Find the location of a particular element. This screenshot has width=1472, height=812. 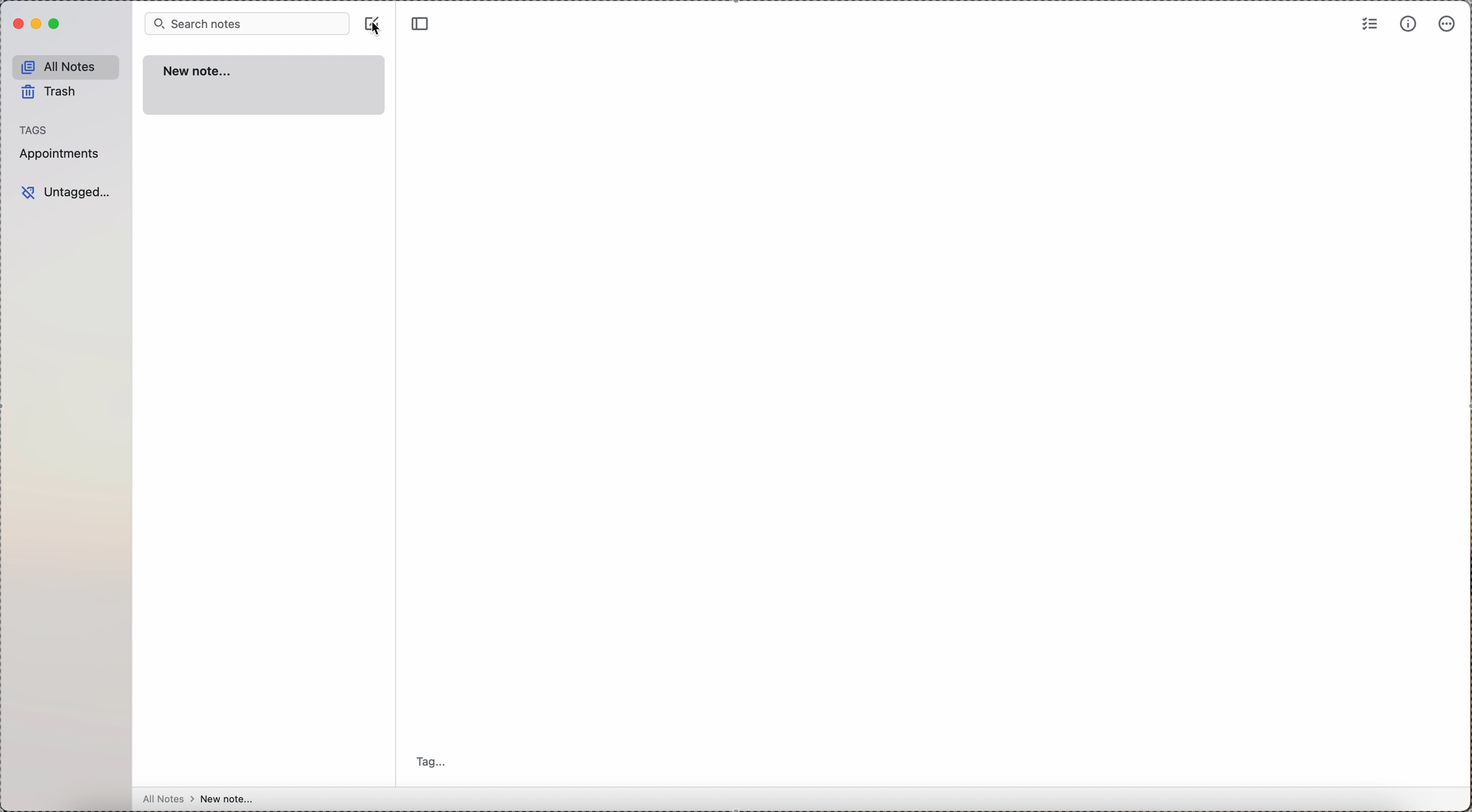

more options is located at coordinates (1449, 23).